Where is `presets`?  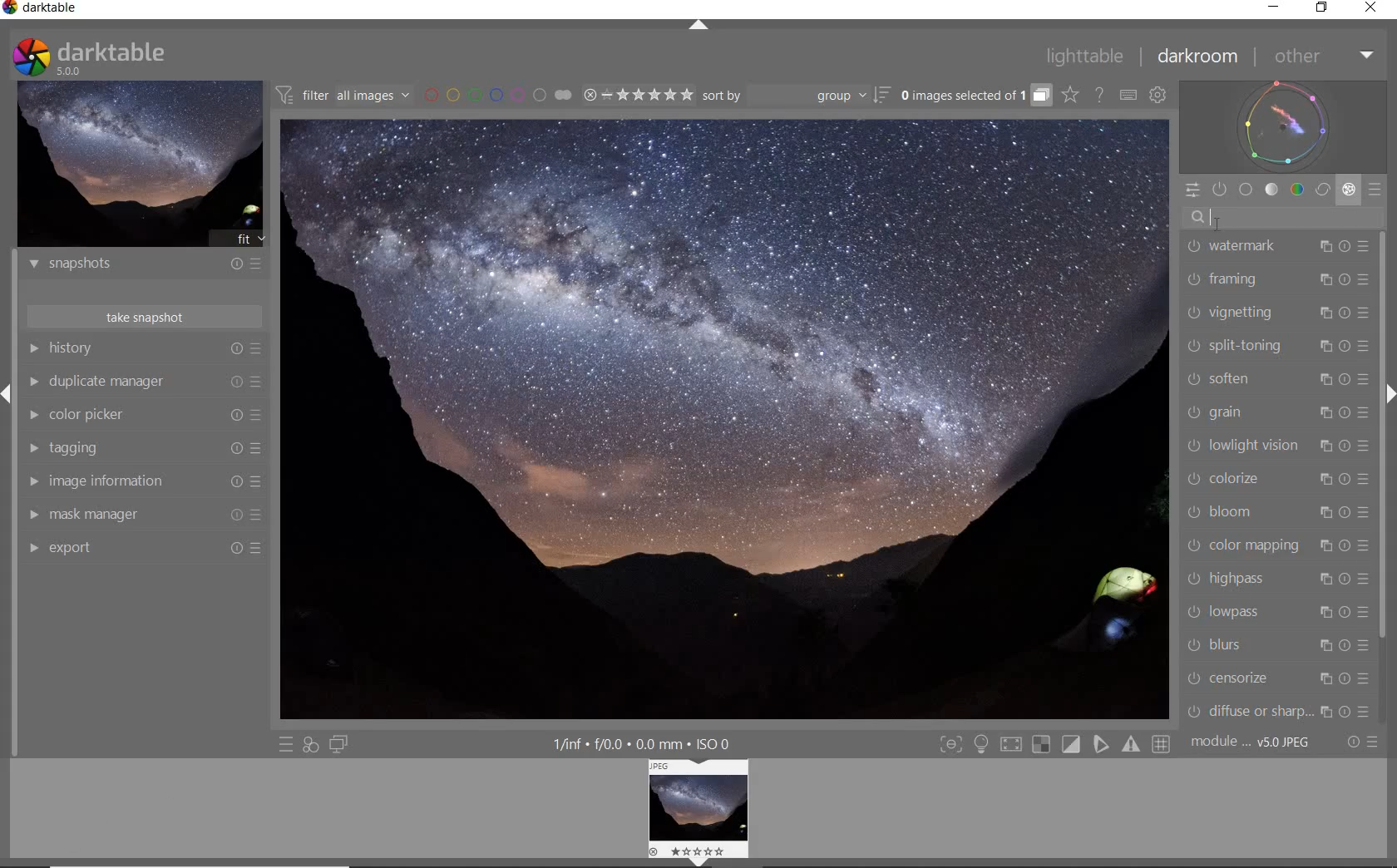
presets is located at coordinates (1367, 277).